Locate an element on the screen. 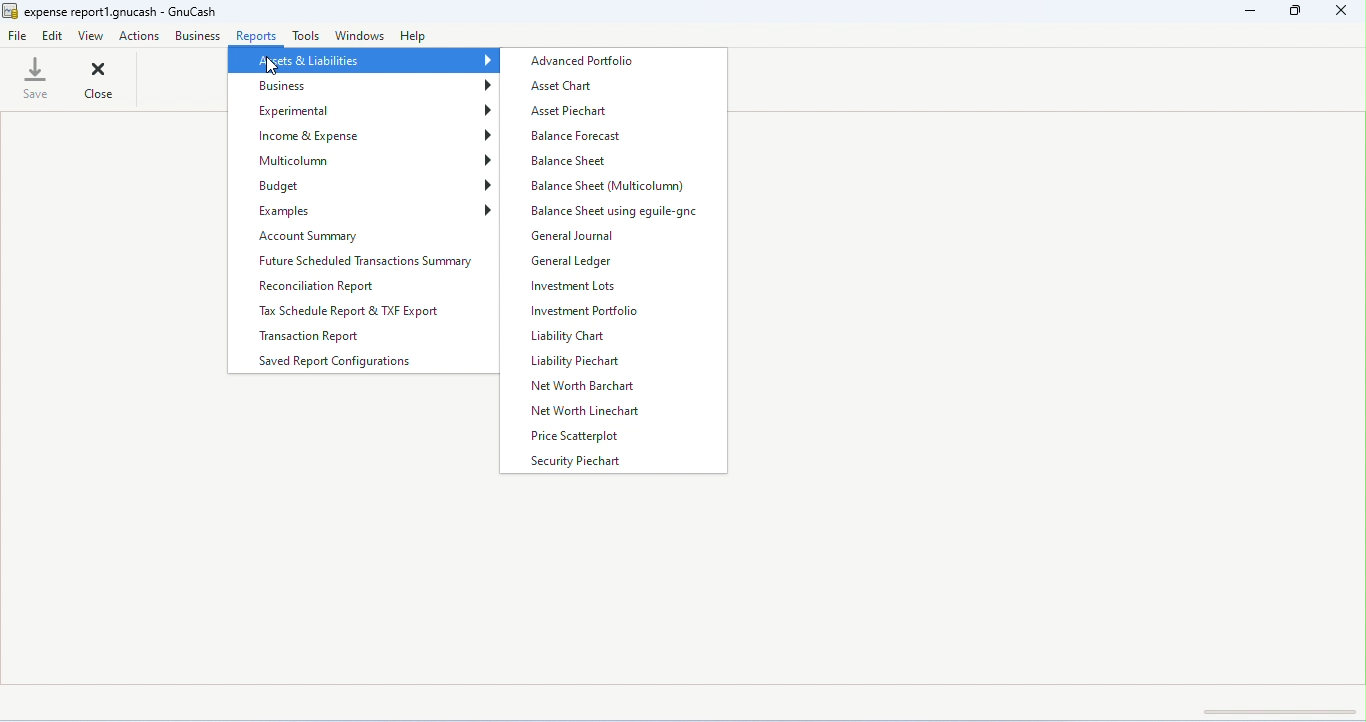  budget is located at coordinates (365, 185).